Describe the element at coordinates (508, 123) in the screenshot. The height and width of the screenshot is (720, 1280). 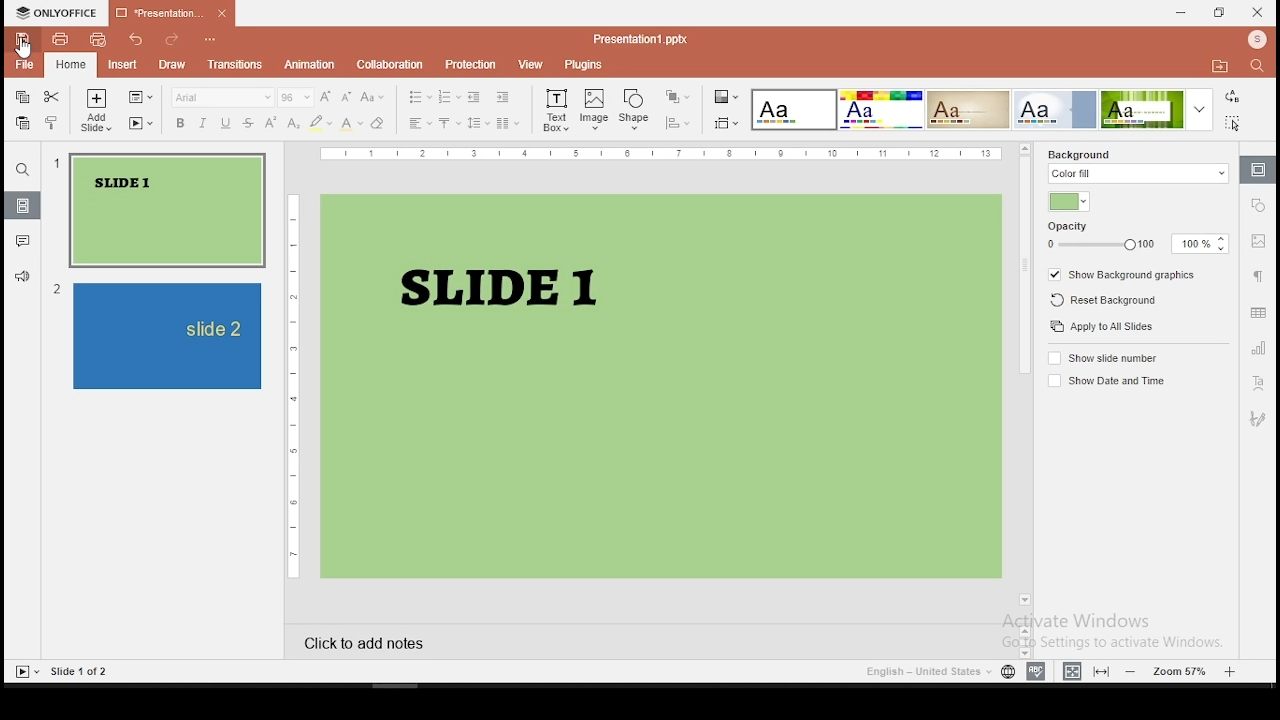
I see `columns` at that location.